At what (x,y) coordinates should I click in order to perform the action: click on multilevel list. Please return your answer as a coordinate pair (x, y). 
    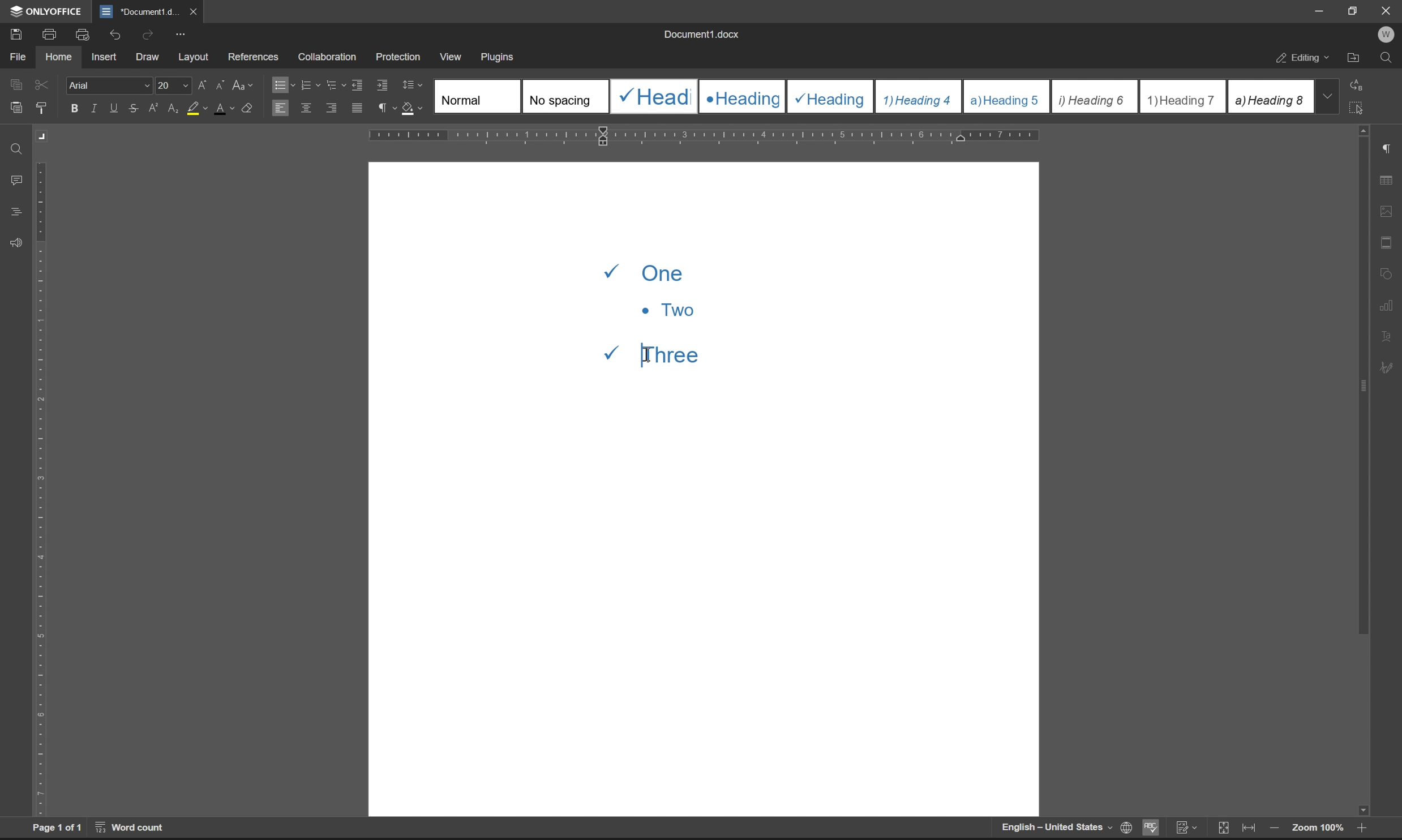
    Looking at the image, I should click on (337, 84).